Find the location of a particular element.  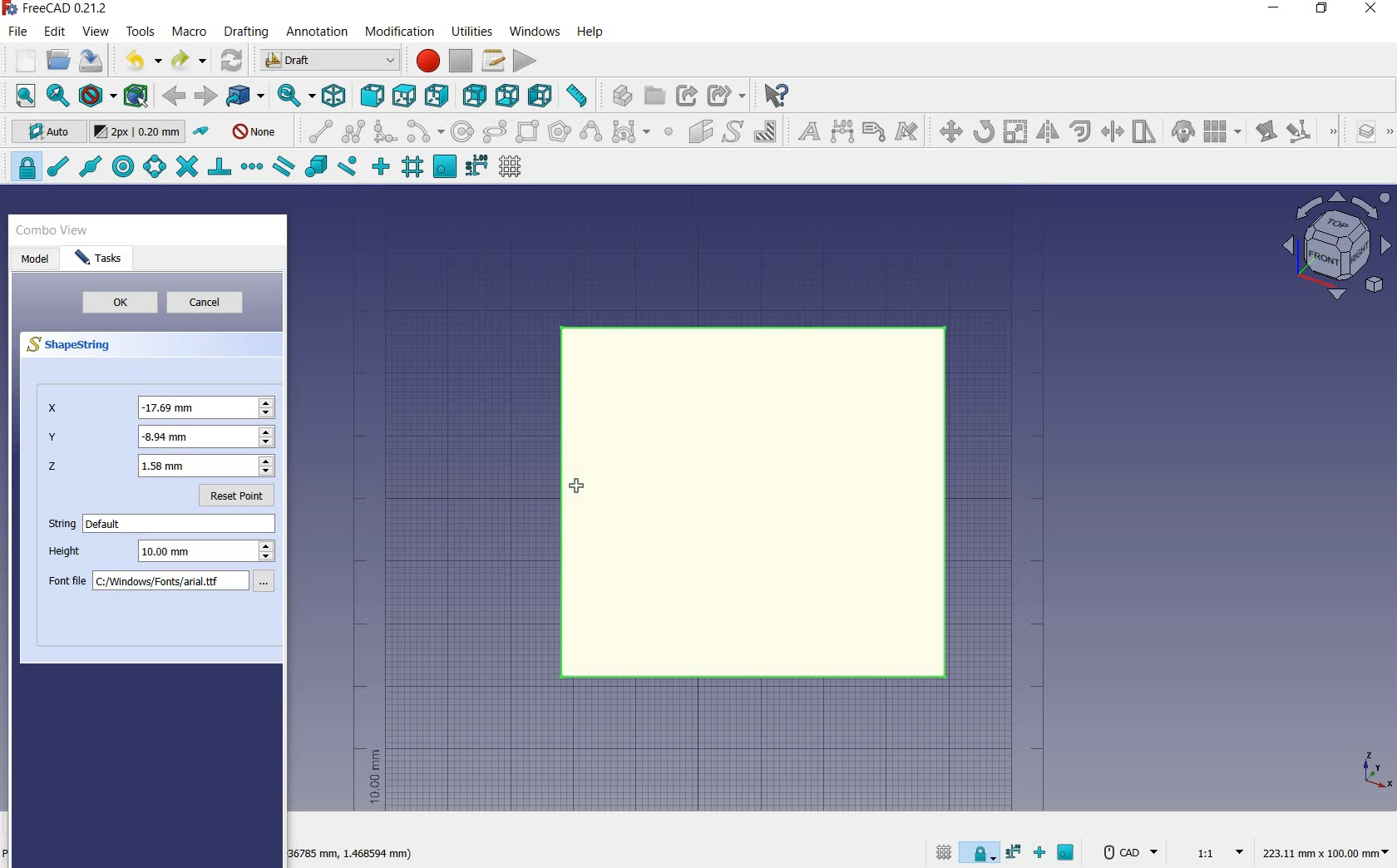

label is located at coordinates (874, 131).